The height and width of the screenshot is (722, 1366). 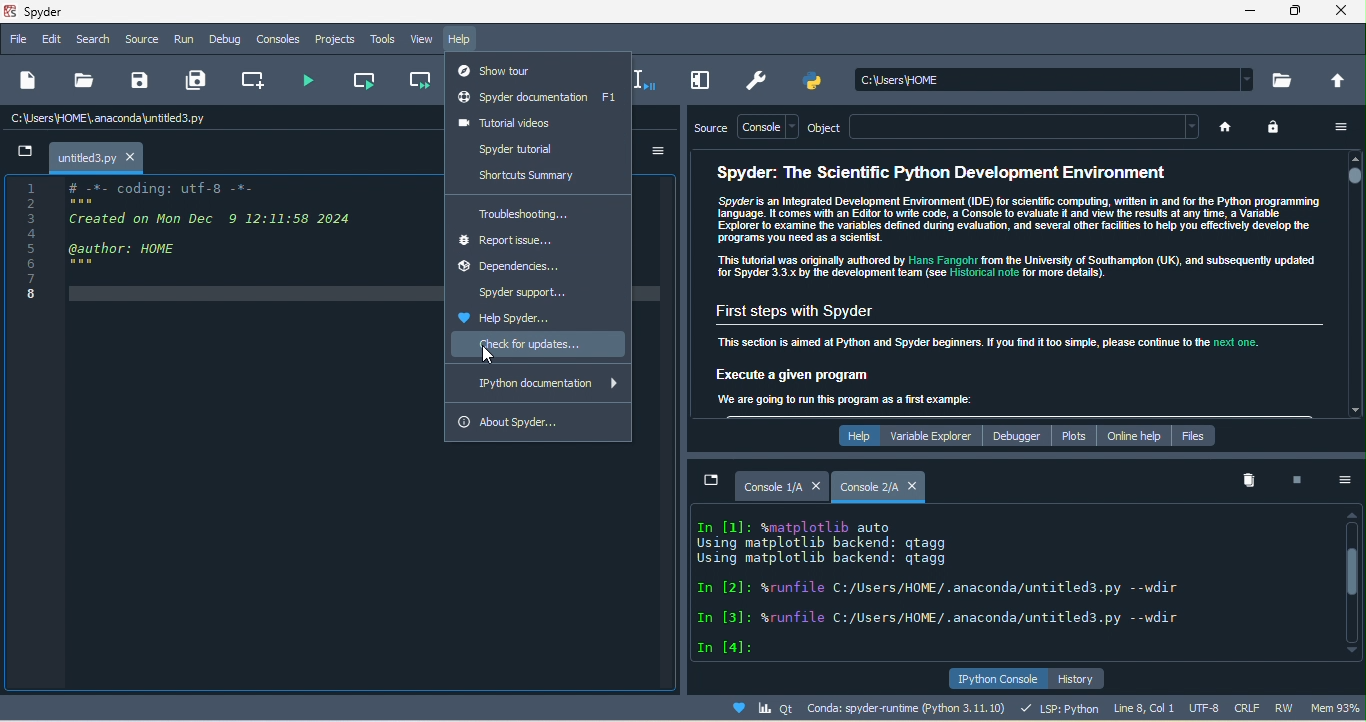 I want to click on save all, so click(x=202, y=81).